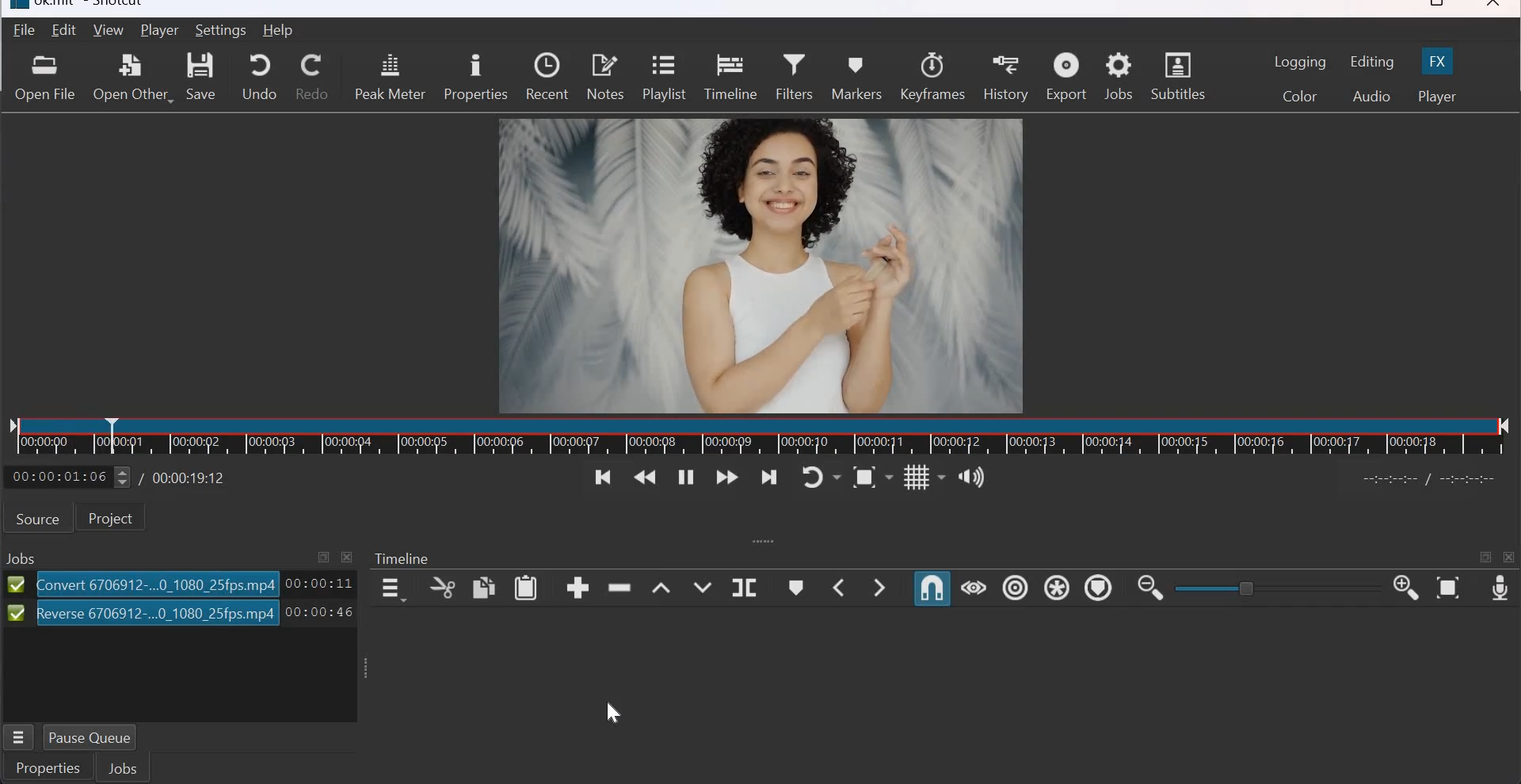 The height and width of the screenshot is (784, 1521). I want to click on maximize, so click(325, 557).